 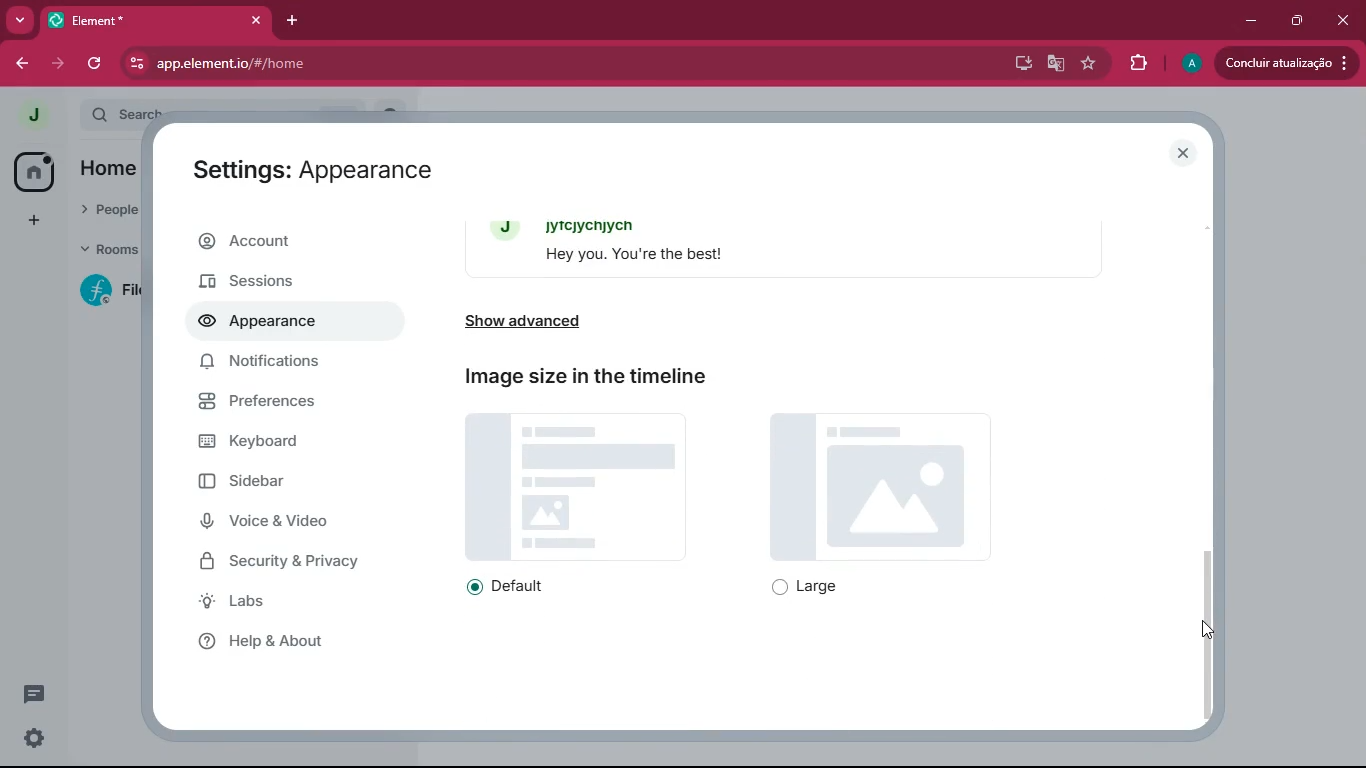 What do you see at coordinates (279, 641) in the screenshot?
I see `help & about` at bounding box center [279, 641].